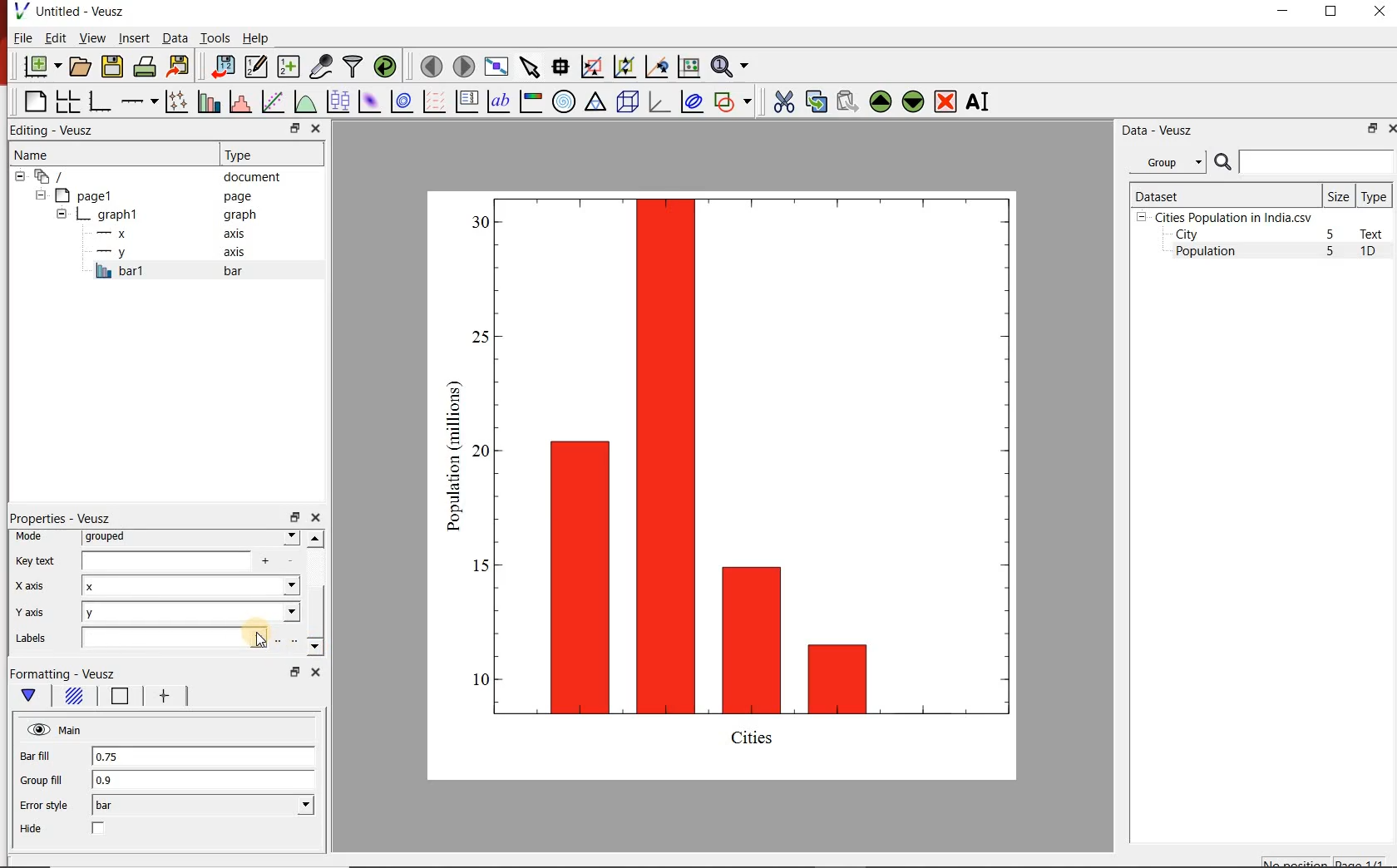  What do you see at coordinates (294, 128) in the screenshot?
I see `restore` at bounding box center [294, 128].